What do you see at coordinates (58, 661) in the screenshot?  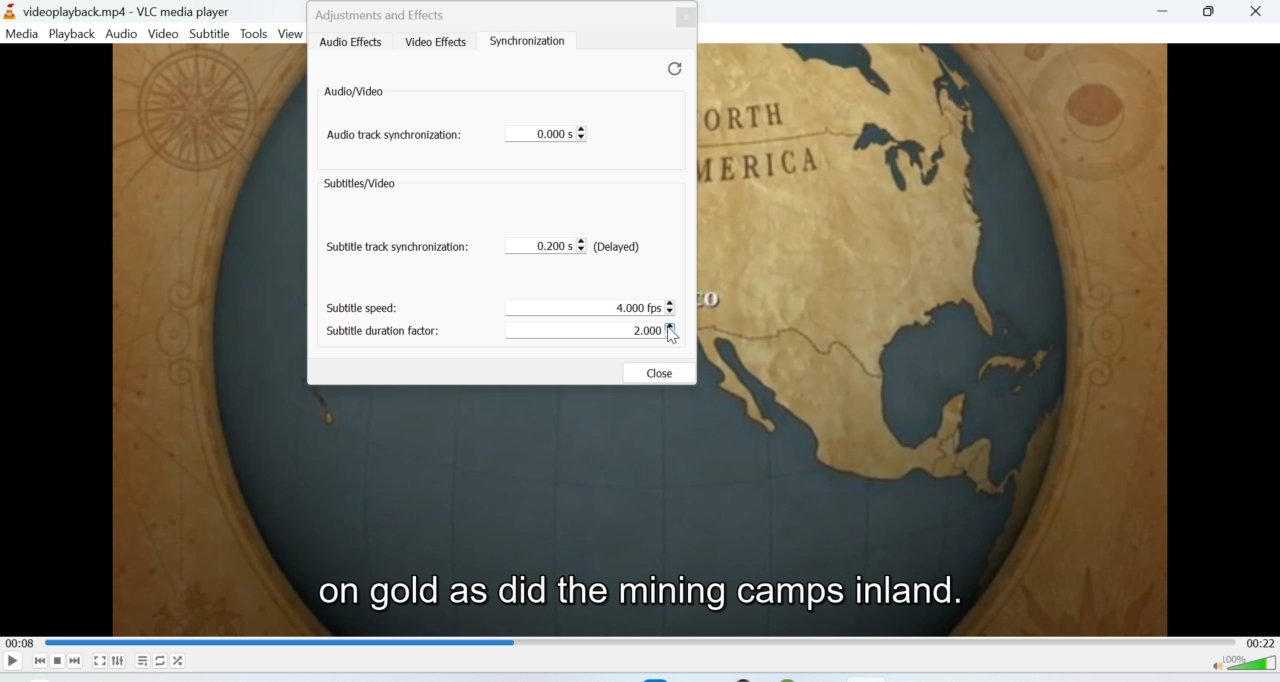 I see `Stop` at bounding box center [58, 661].